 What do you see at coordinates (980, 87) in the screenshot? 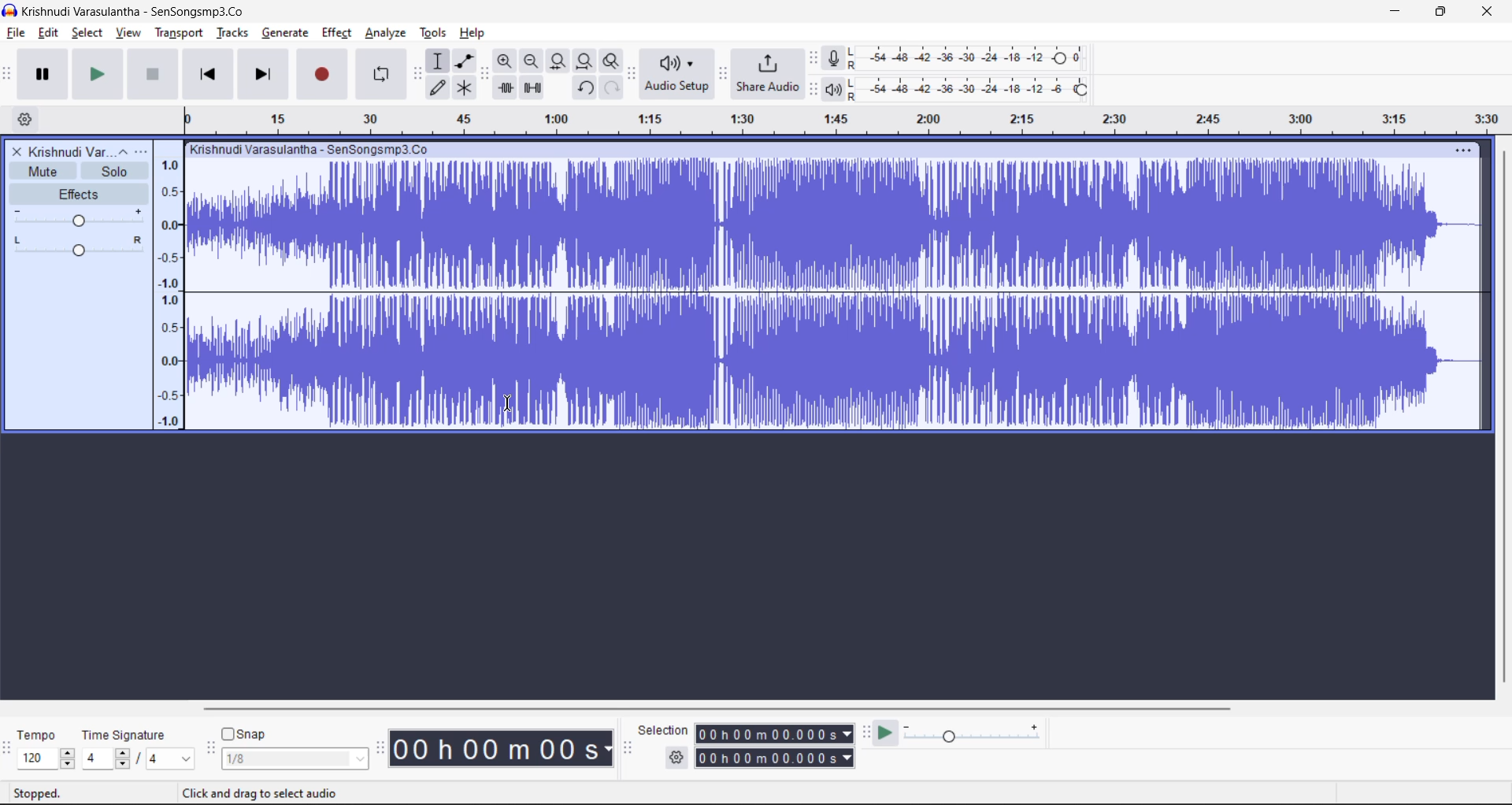
I see `playback level` at bounding box center [980, 87].